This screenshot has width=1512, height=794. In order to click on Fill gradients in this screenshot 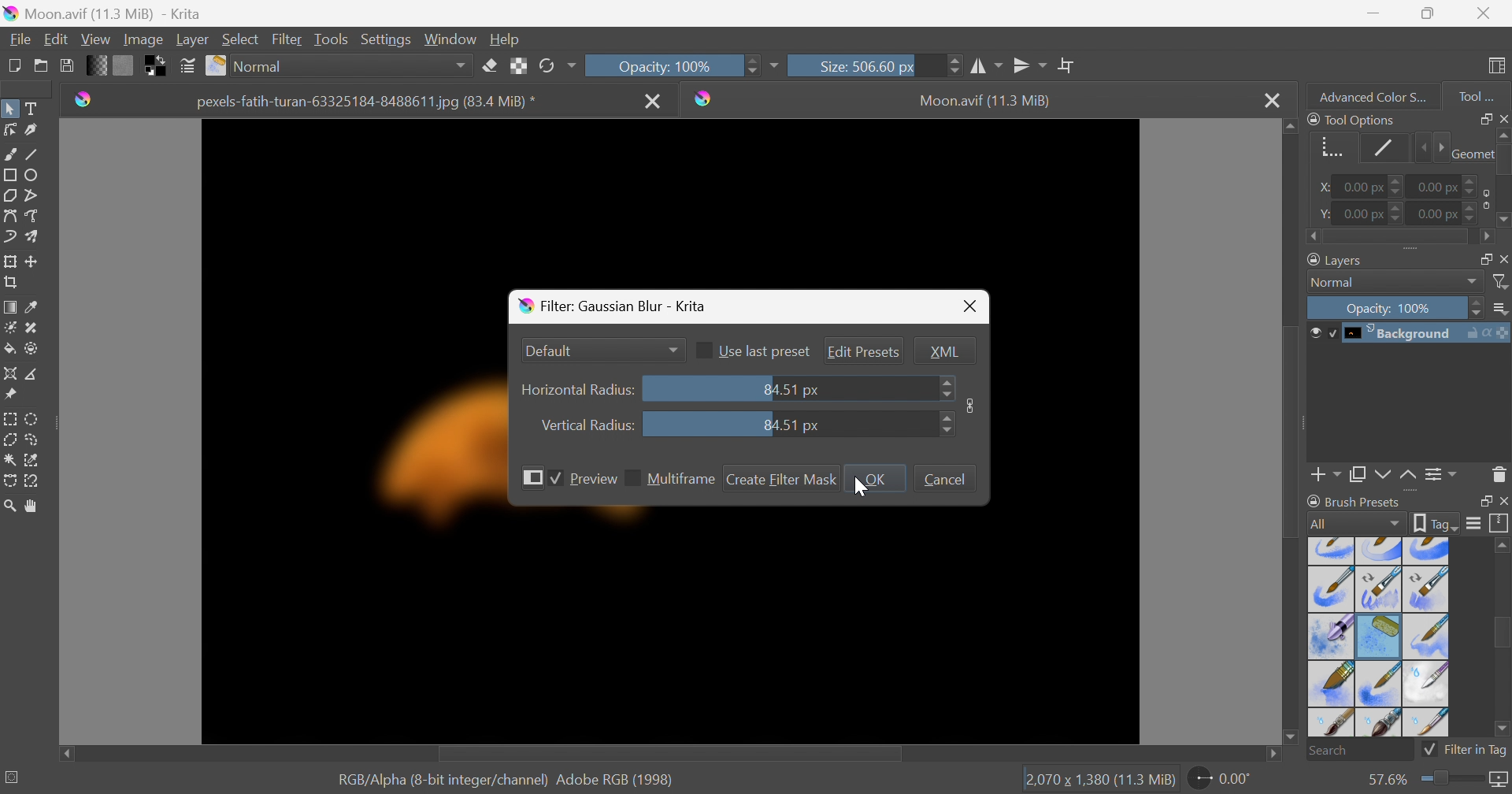, I will do `click(94, 65)`.